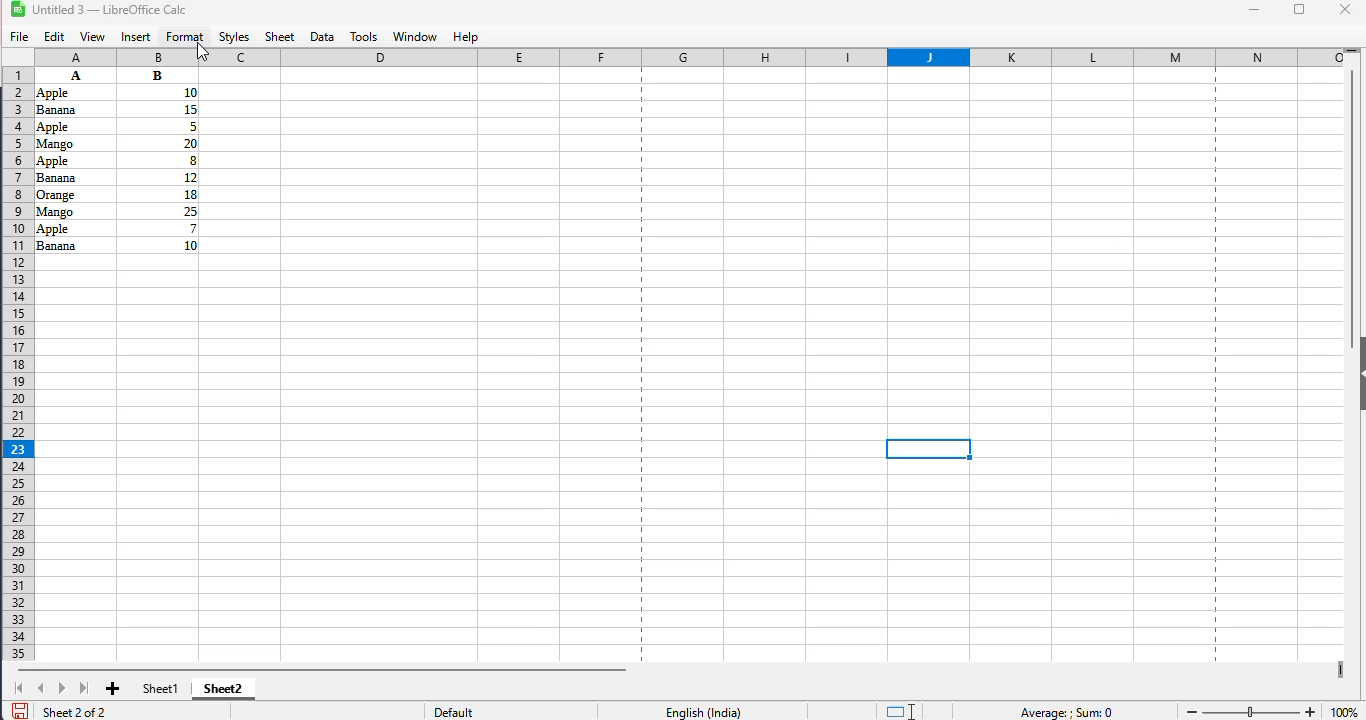 This screenshot has width=1366, height=720. What do you see at coordinates (74, 245) in the screenshot?
I see `` at bounding box center [74, 245].